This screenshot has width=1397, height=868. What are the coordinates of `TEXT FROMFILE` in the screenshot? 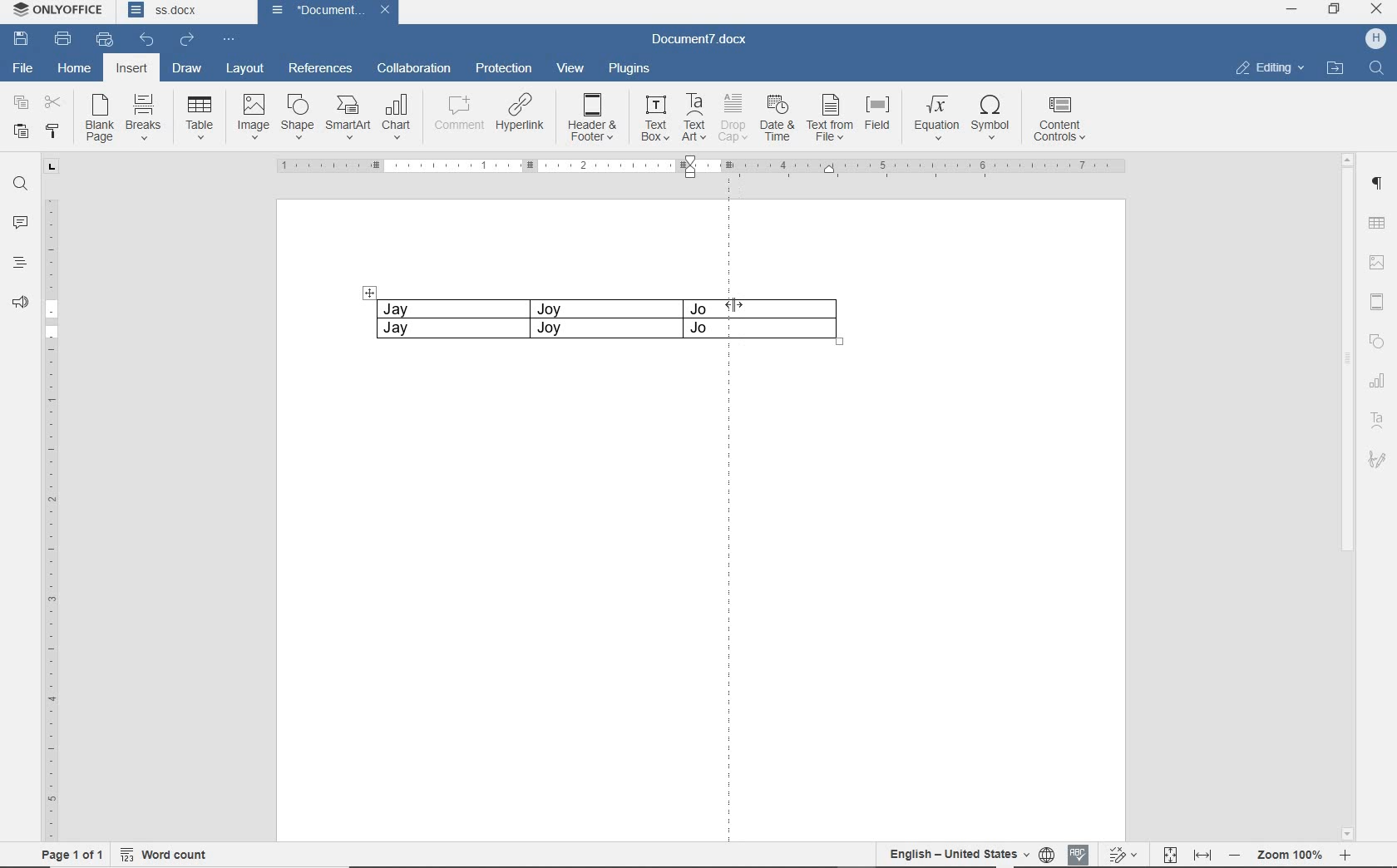 It's located at (829, 117).